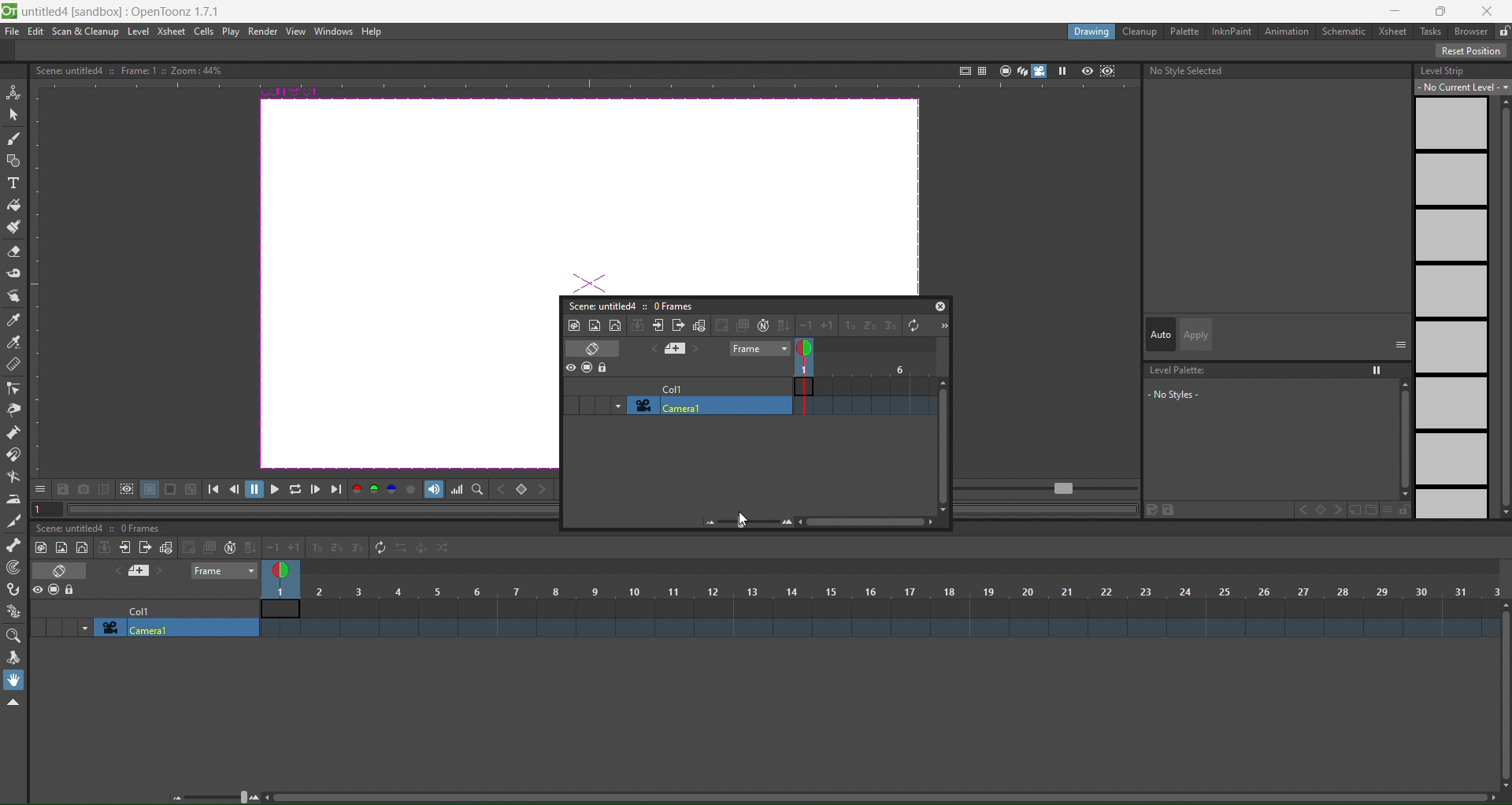  What do you see at coordinates (594, 324) in the screenshot?
I see `new raster level` at bounding box center [594, 324].